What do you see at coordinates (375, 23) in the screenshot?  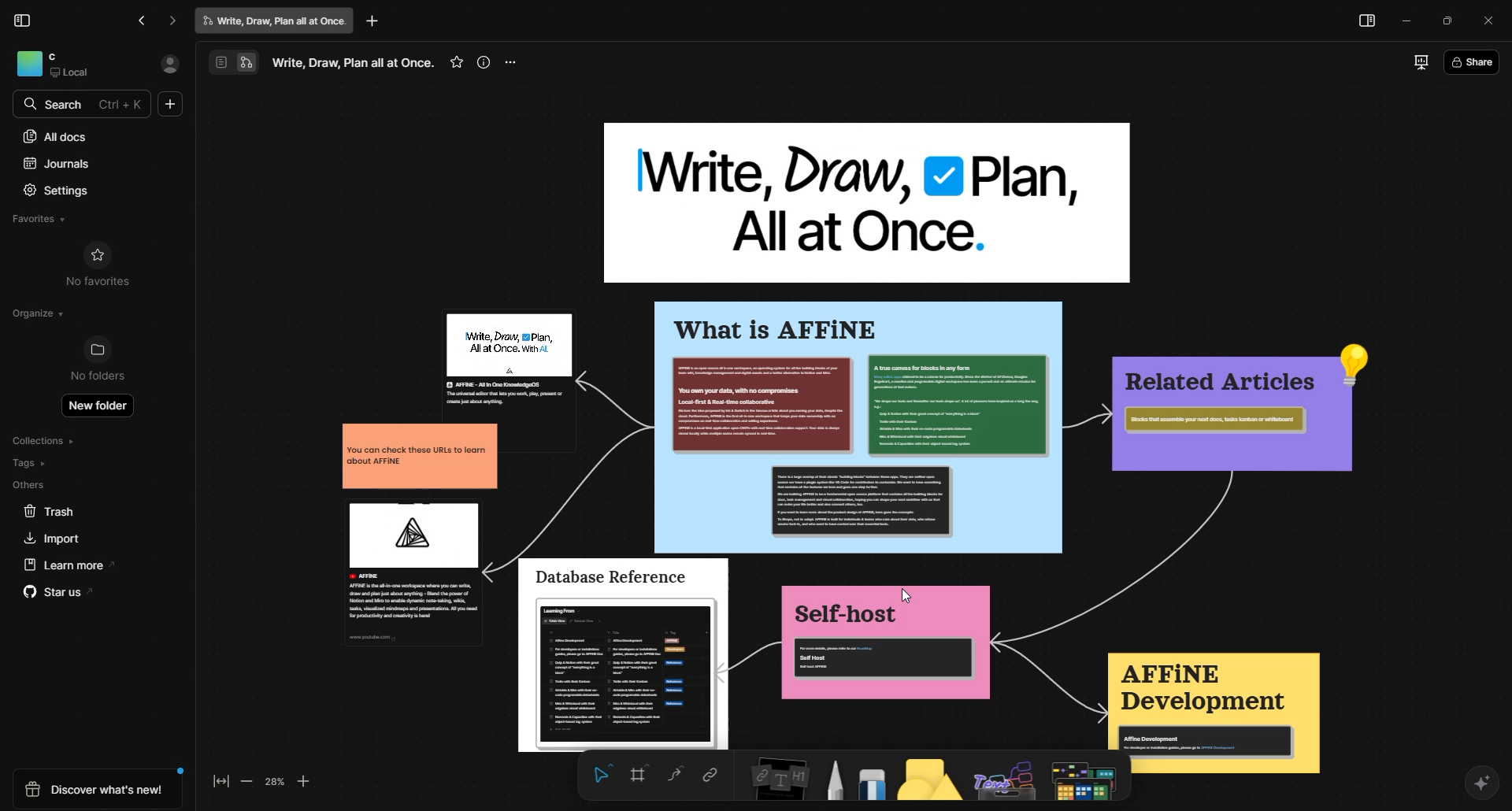 I see `Add` at bounding box center [375, 23].